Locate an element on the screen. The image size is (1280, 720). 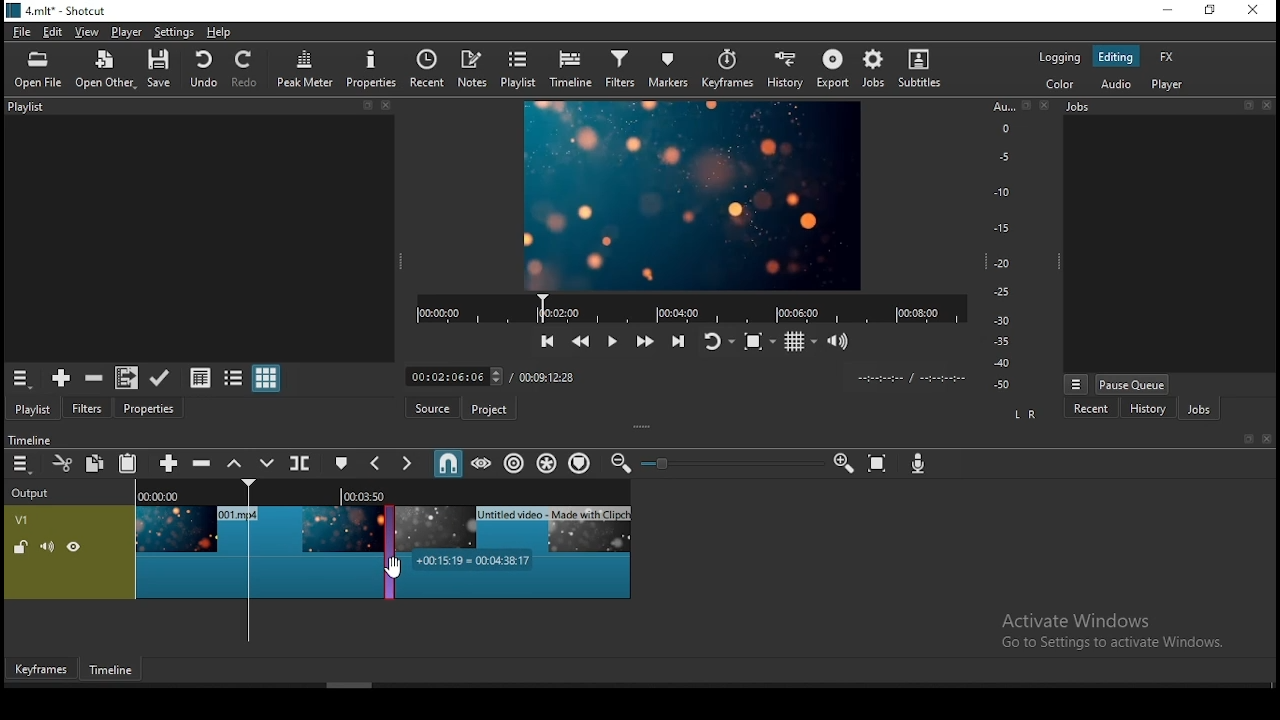
editing is located at coordinates (1115, 56).